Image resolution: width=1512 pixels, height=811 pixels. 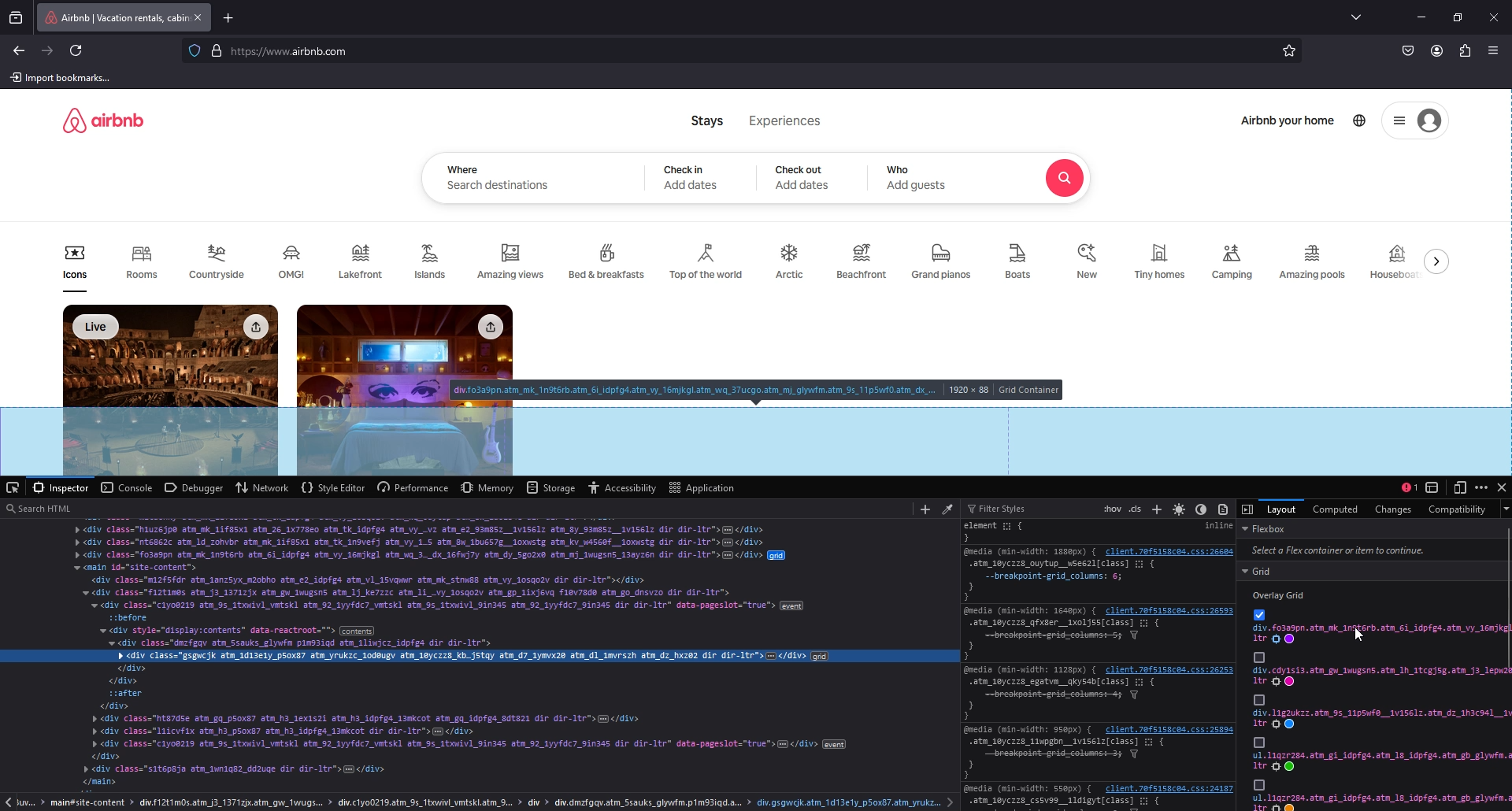 I want to click on search bar, so click(x=737, y=52).